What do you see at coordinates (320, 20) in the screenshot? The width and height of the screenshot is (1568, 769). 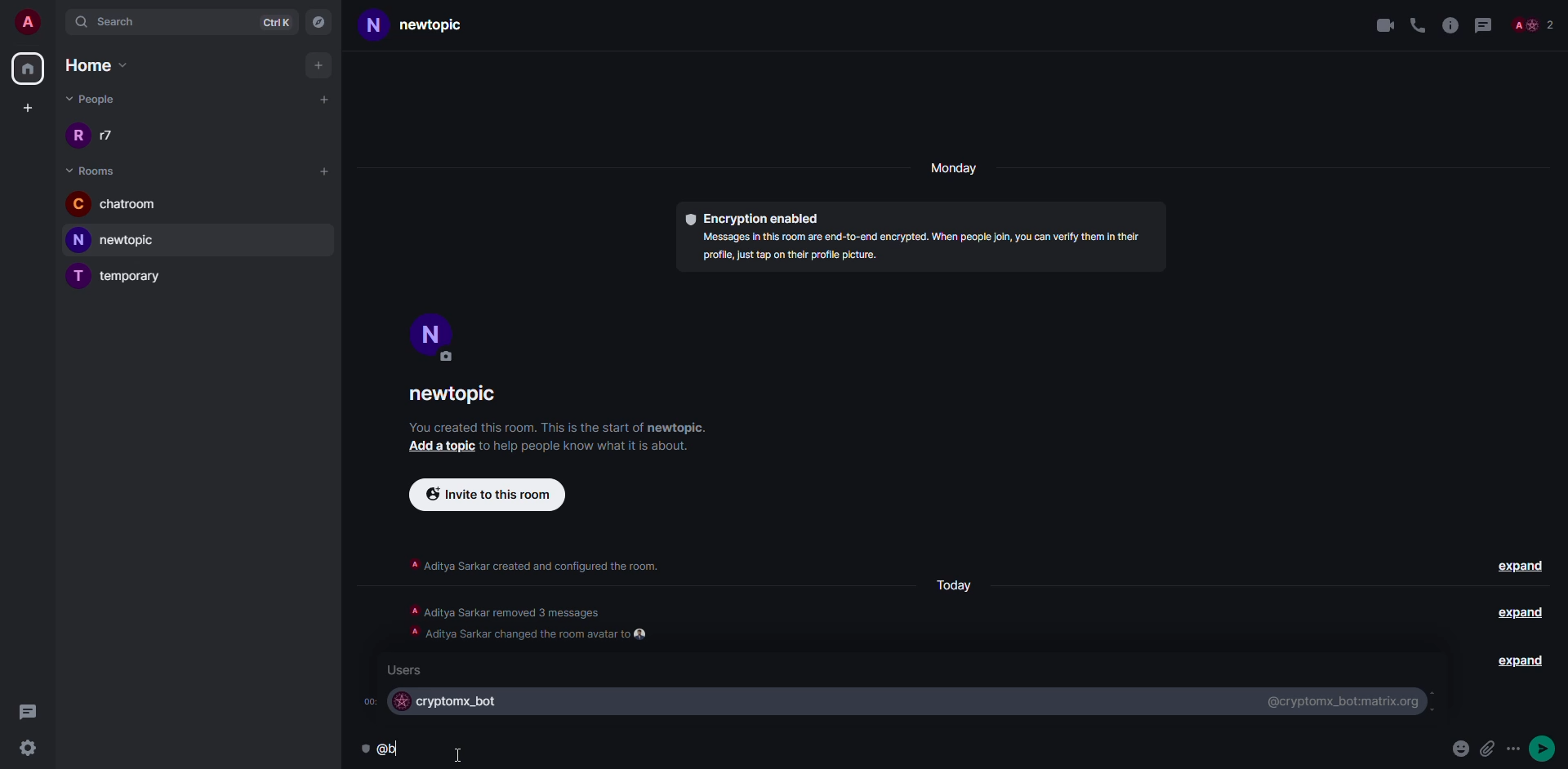 I see `navigator` at bounding box center [320, 20].